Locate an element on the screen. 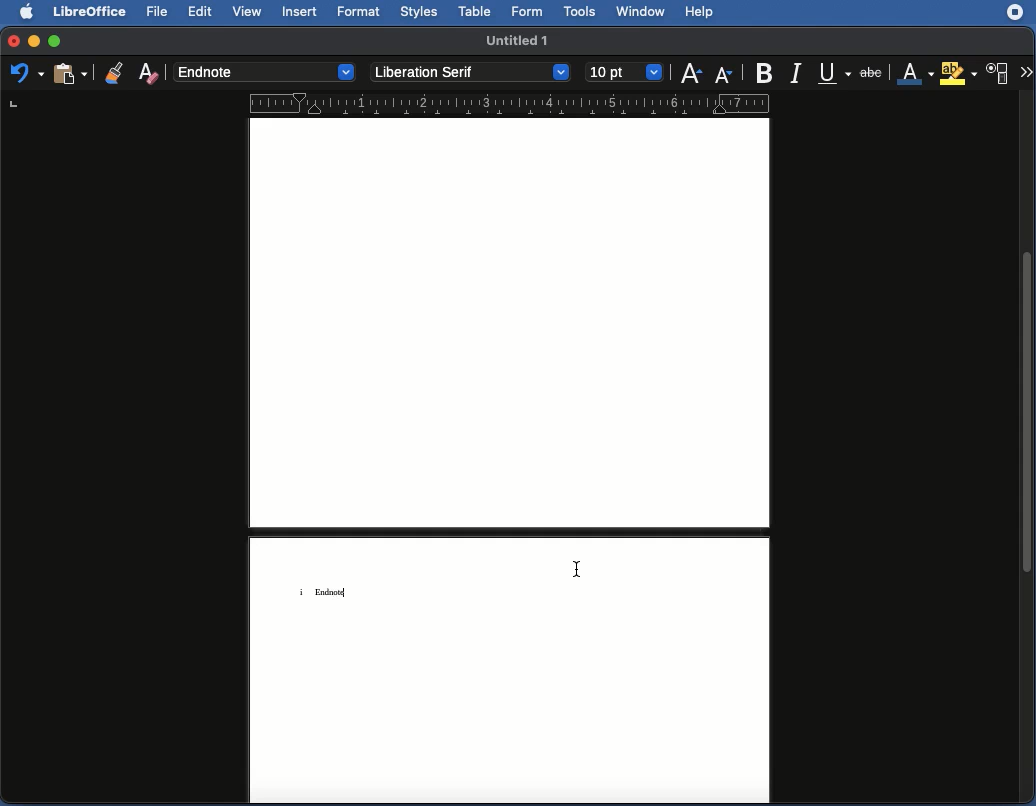 Image resolution: width=1036 pixels, height=806 pixels. Font color is located at coordinates (914, 74).